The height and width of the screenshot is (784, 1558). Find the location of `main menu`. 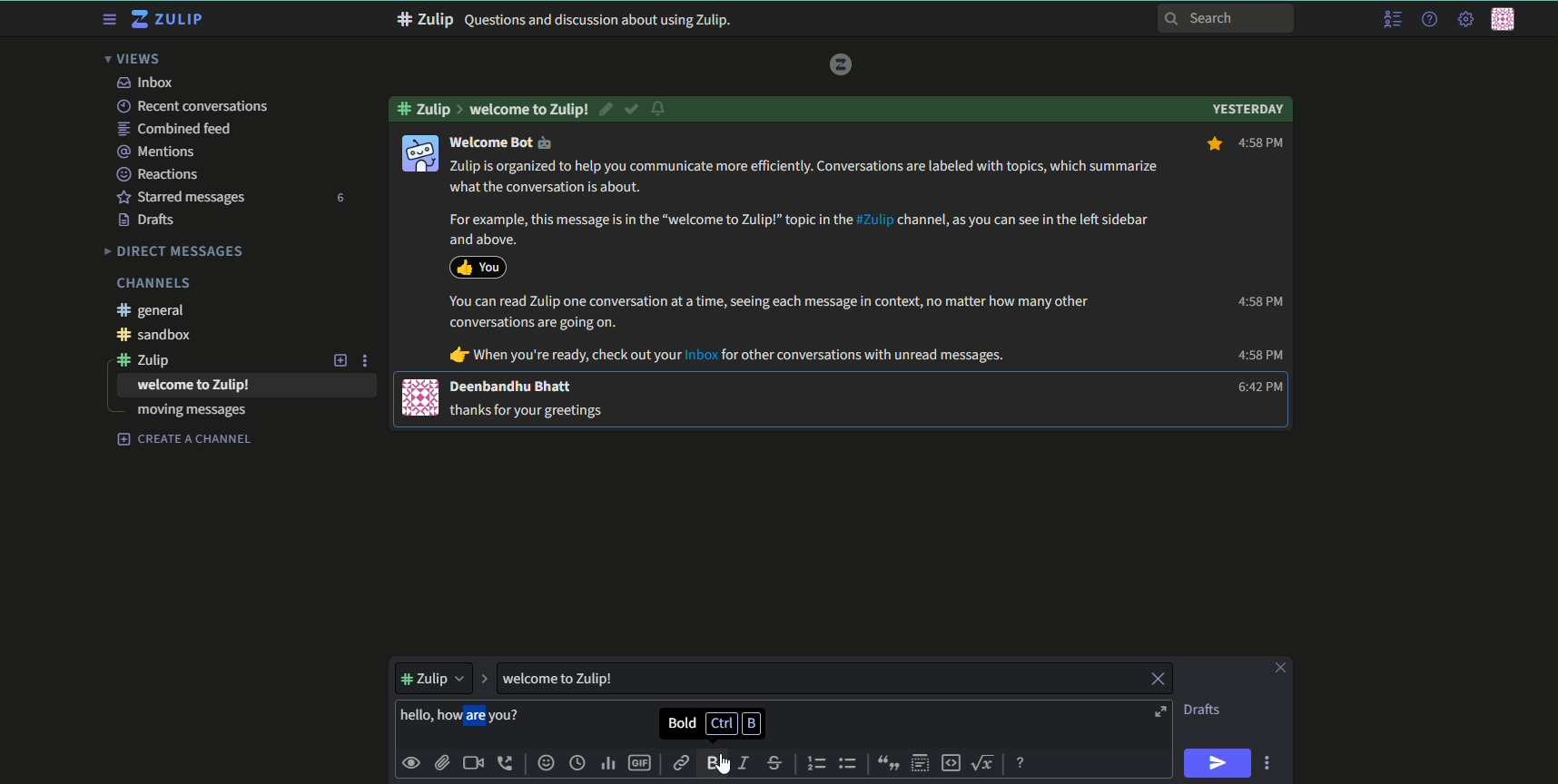

main menu is located at coordinates (1464, 19).